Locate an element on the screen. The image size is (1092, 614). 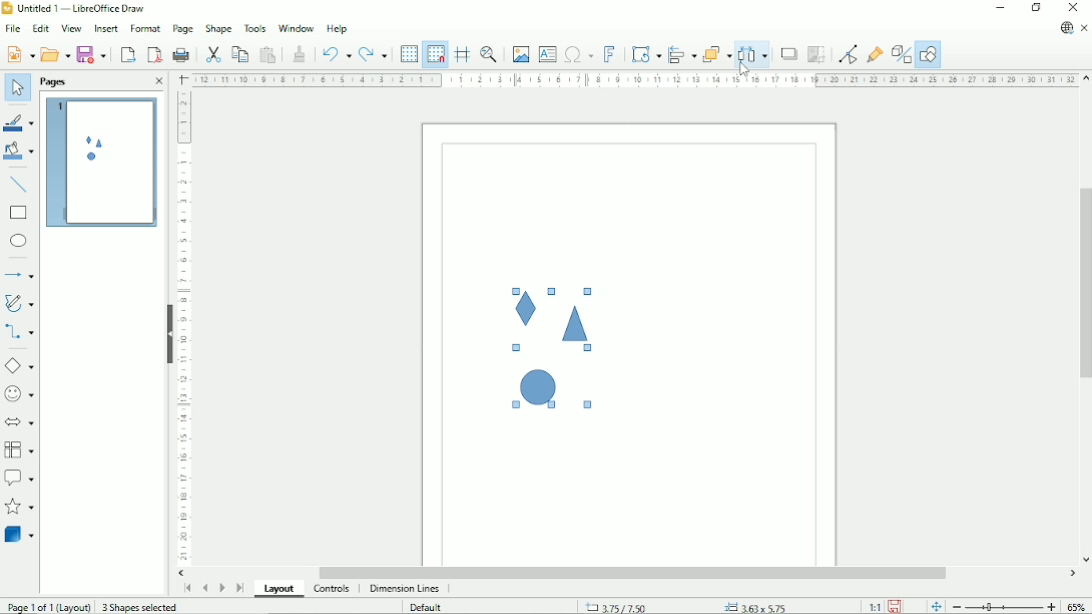
Ellipse is located at coordinates (18, 242).